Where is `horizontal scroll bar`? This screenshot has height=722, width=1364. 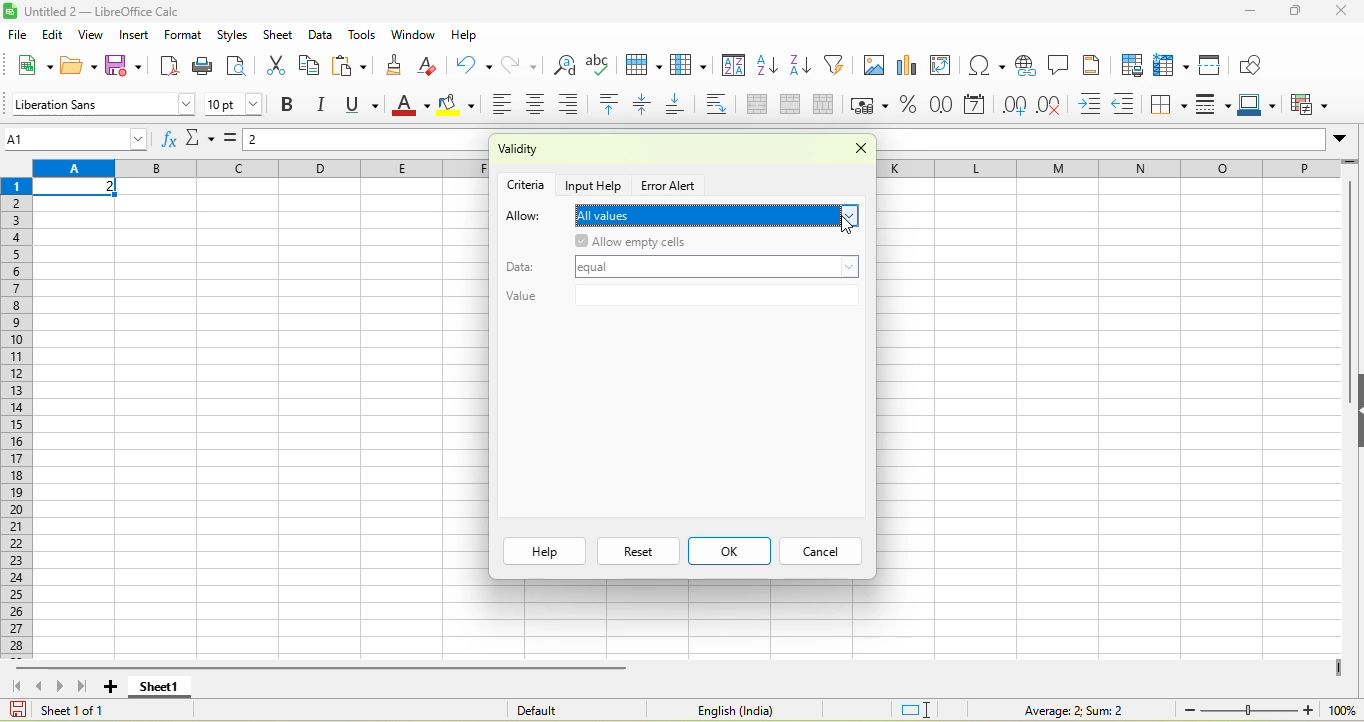 horizontal scroll bar is located at coordinates (324, 667).